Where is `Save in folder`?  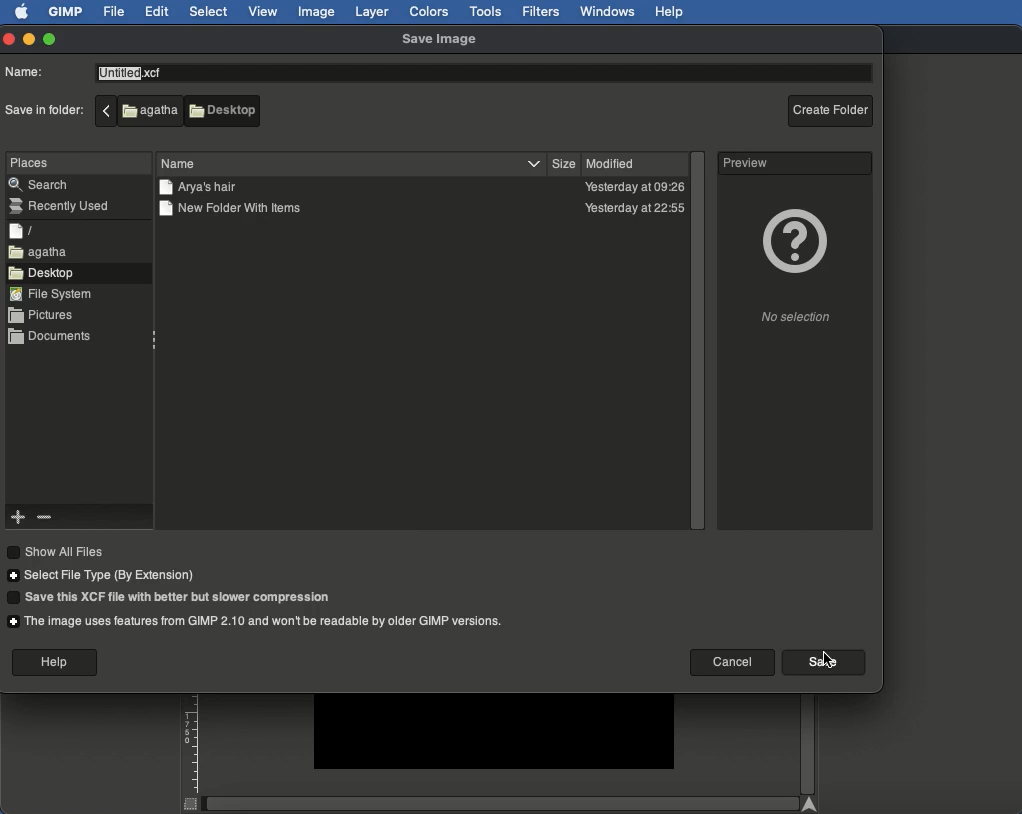 Save in folder is located at coordinates (44, 110).